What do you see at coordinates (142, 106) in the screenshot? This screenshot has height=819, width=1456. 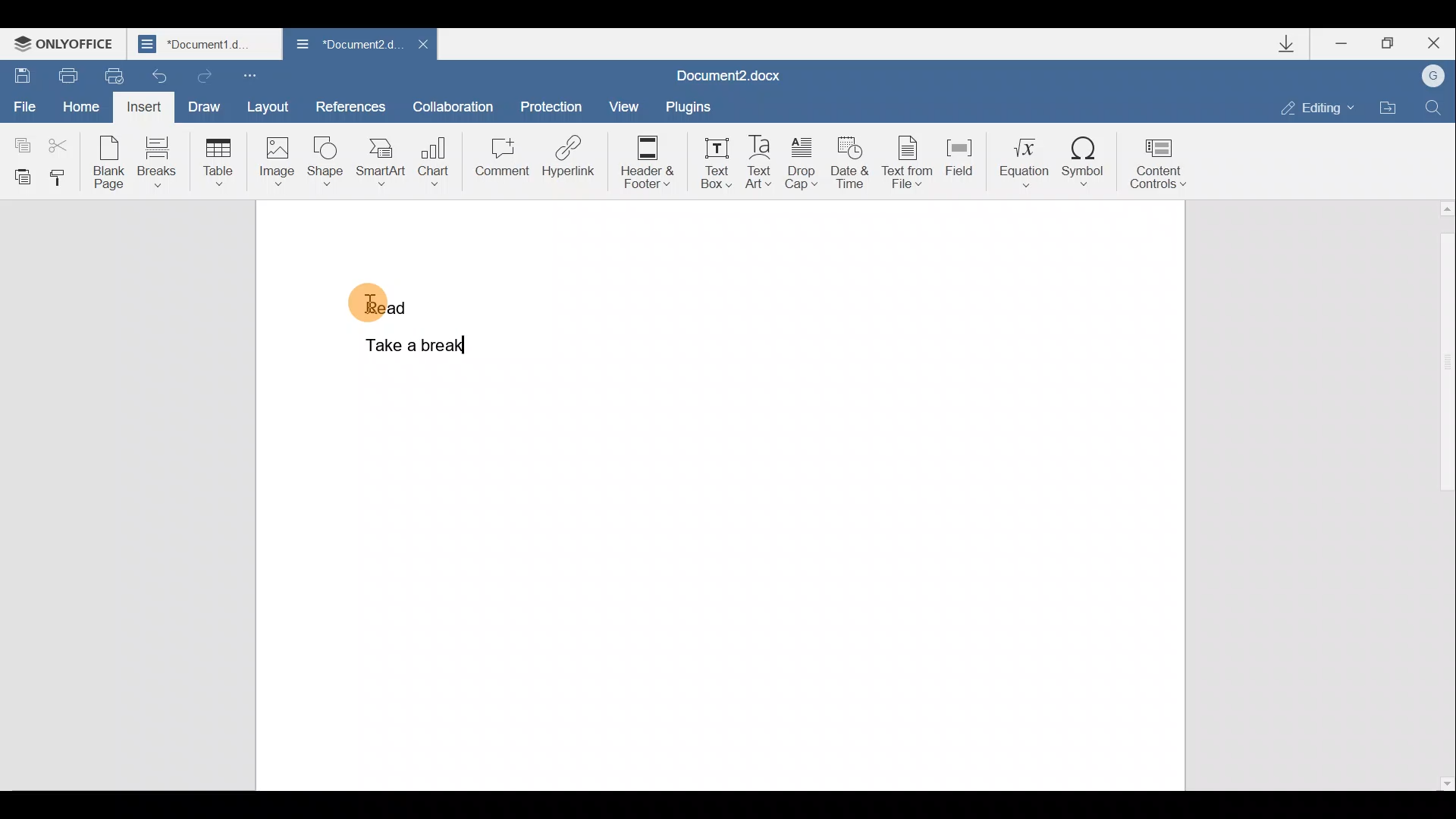 I see `Insert` at bounding box center [142, 106].